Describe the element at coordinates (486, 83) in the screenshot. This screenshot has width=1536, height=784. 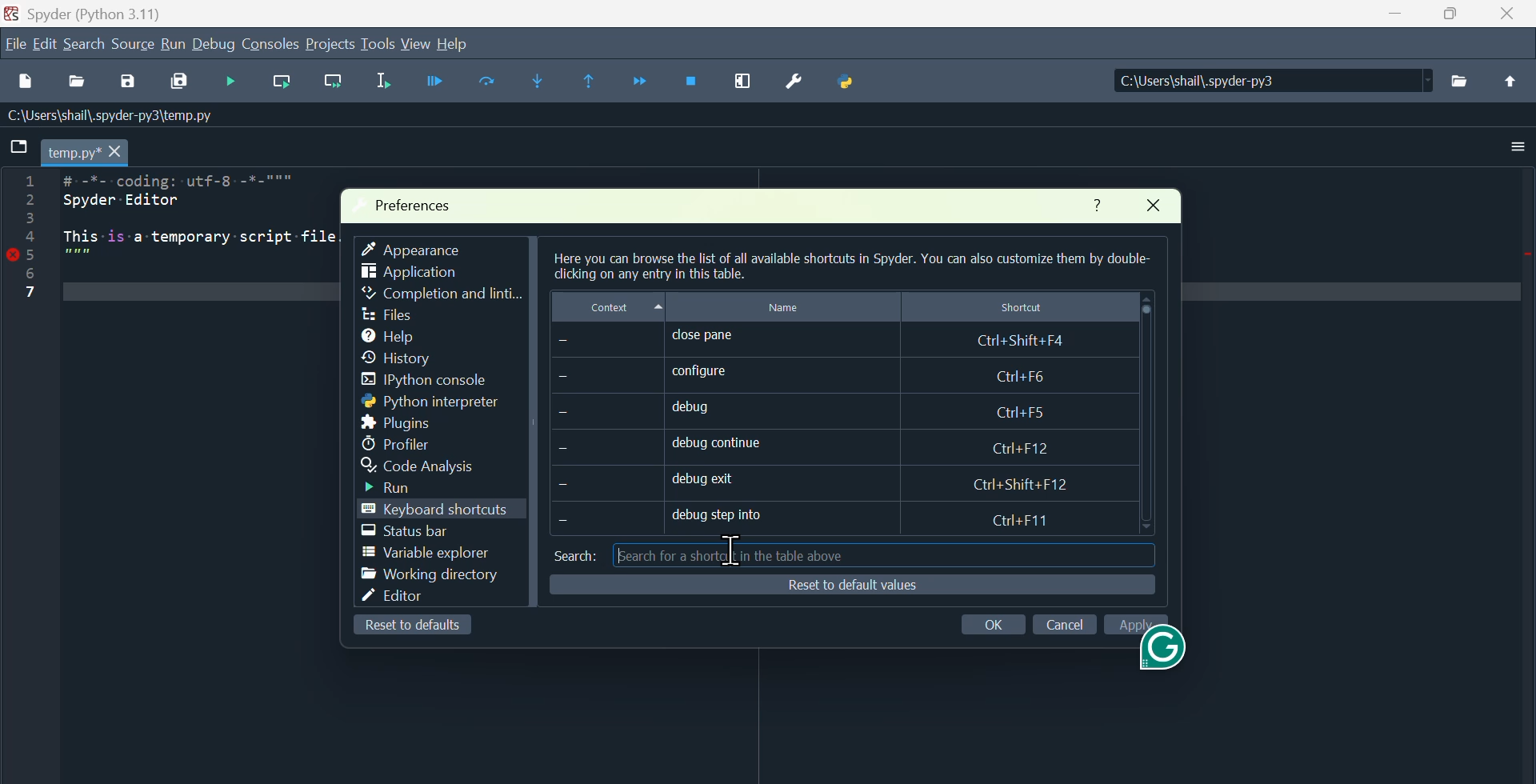
I see `Run cell` at that location.